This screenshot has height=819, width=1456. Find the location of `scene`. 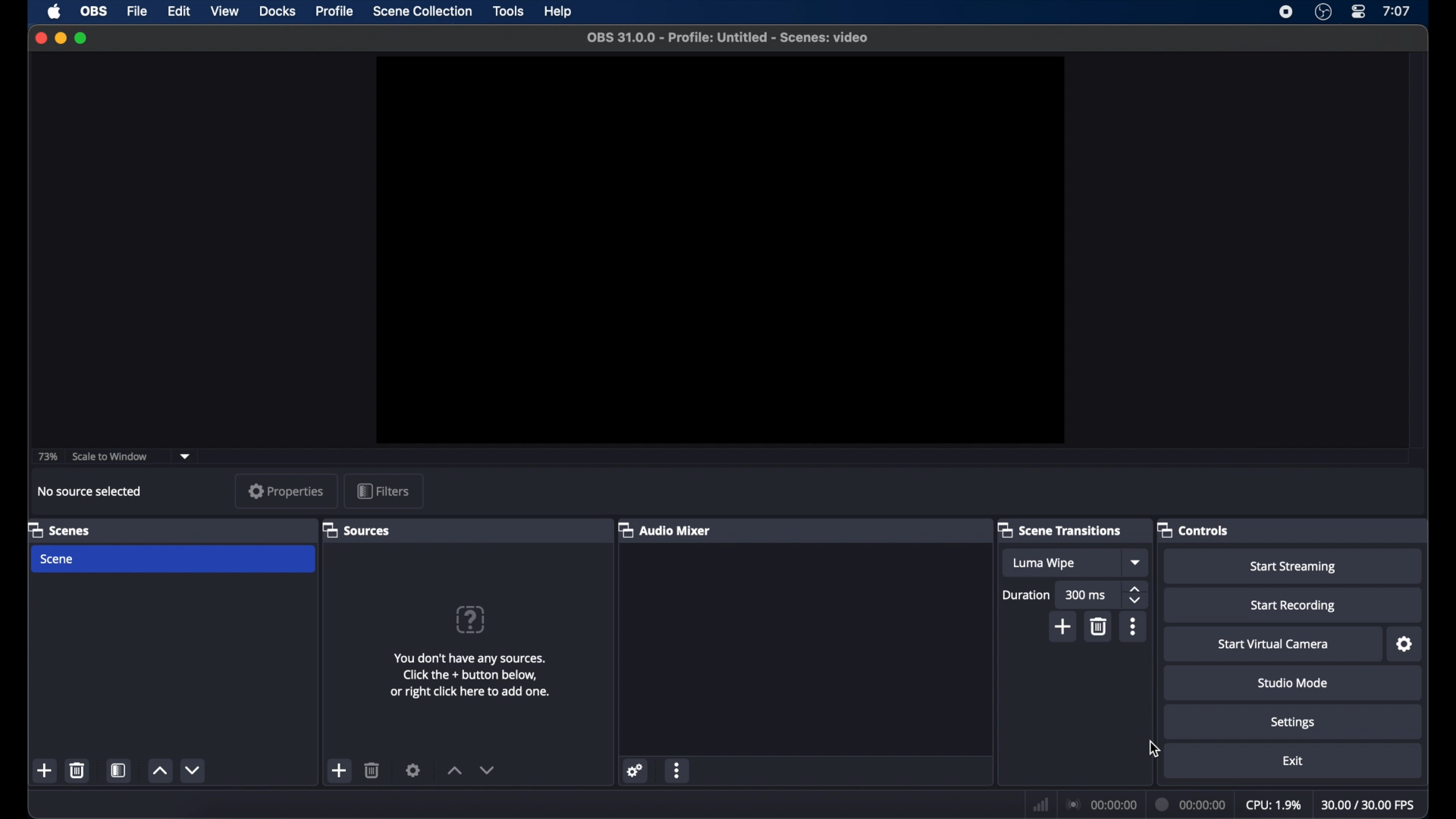

scene is located at coordinates (58, 560).